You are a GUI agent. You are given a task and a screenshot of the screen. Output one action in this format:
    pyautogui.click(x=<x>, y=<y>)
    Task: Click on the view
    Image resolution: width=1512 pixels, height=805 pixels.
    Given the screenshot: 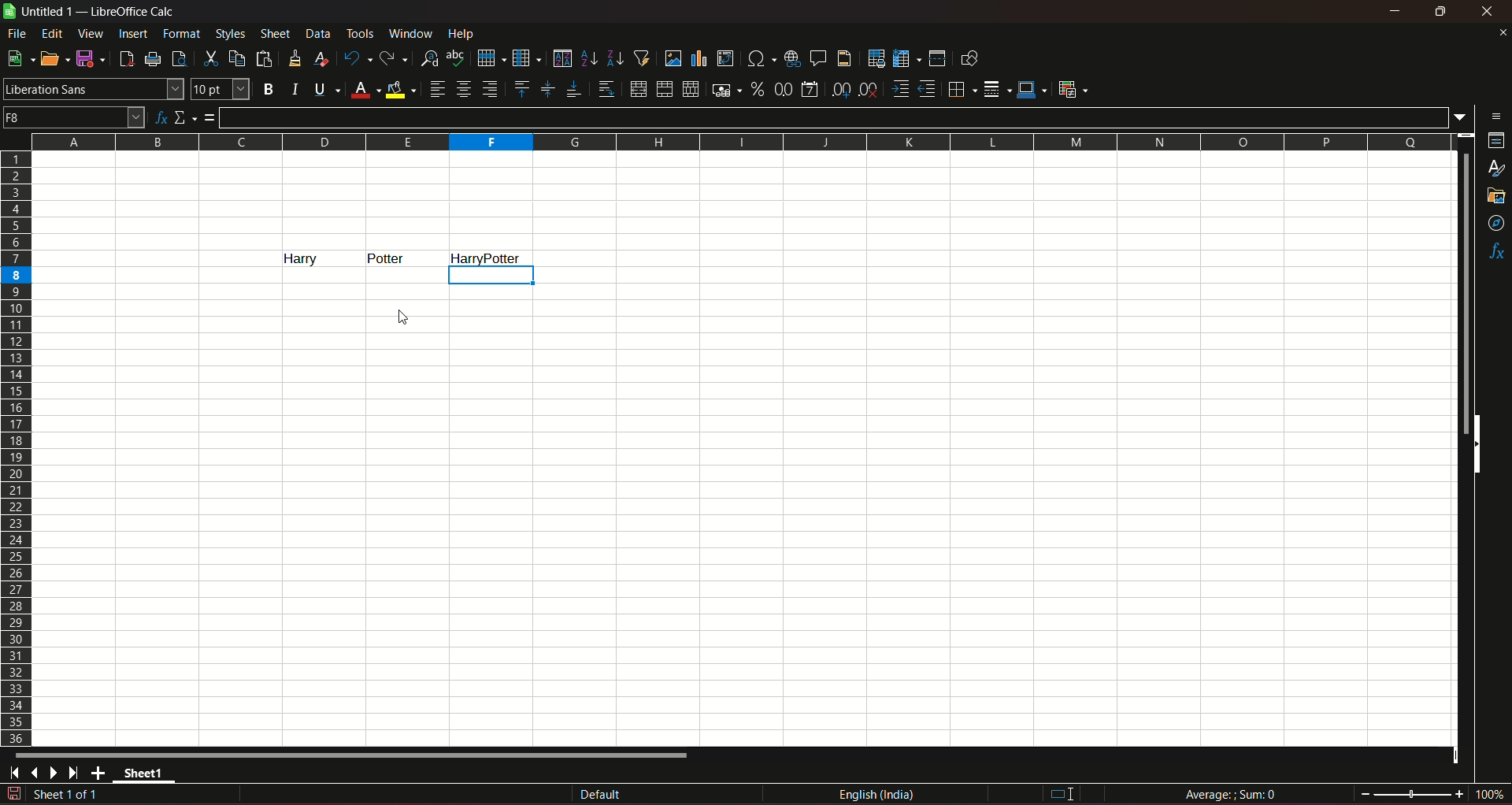 What is the action you would take?
    pyautogui.click(x=91, y=34)
    